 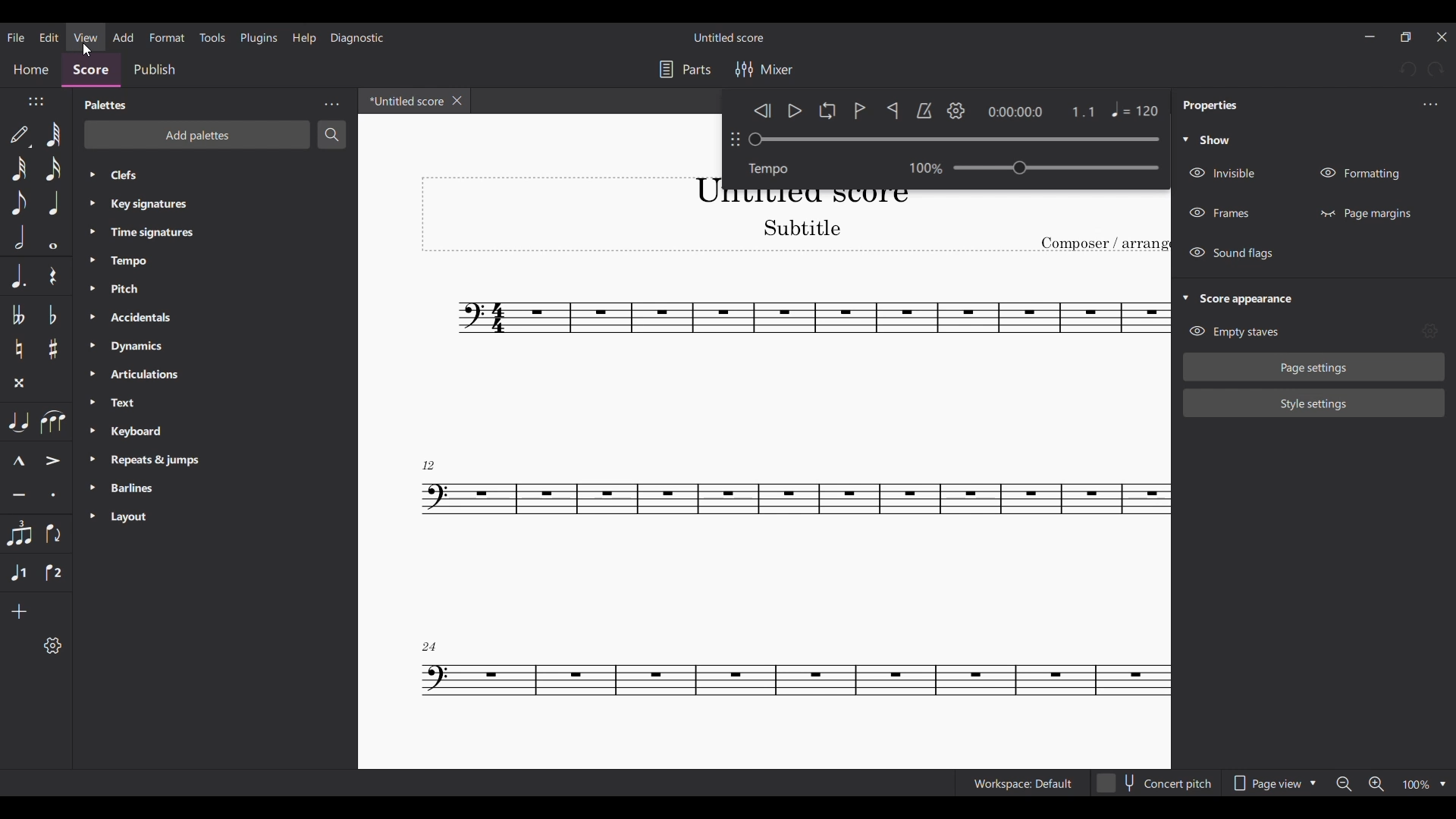 What do you see at coordinates (457, 100) in the screenshot?
I see `Close current score` at bounding box center [457, 100].